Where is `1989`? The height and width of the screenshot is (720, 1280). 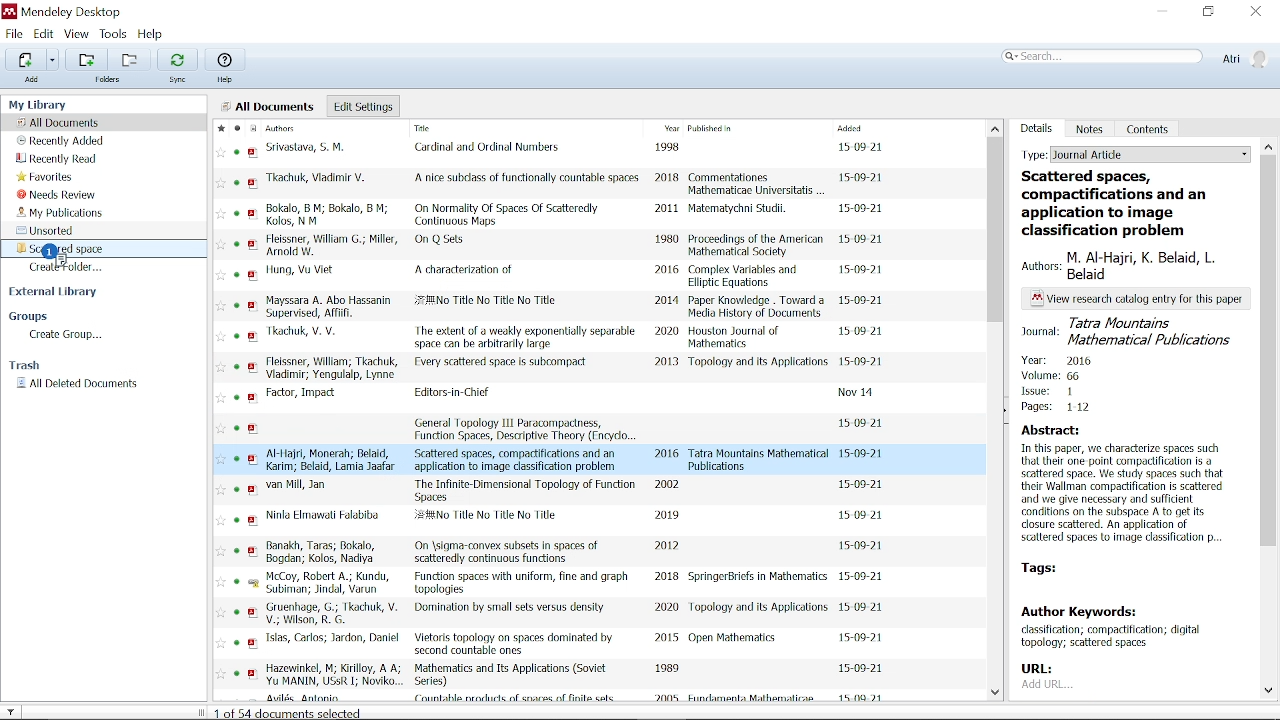 1989 is located at coordinates (667, 669).